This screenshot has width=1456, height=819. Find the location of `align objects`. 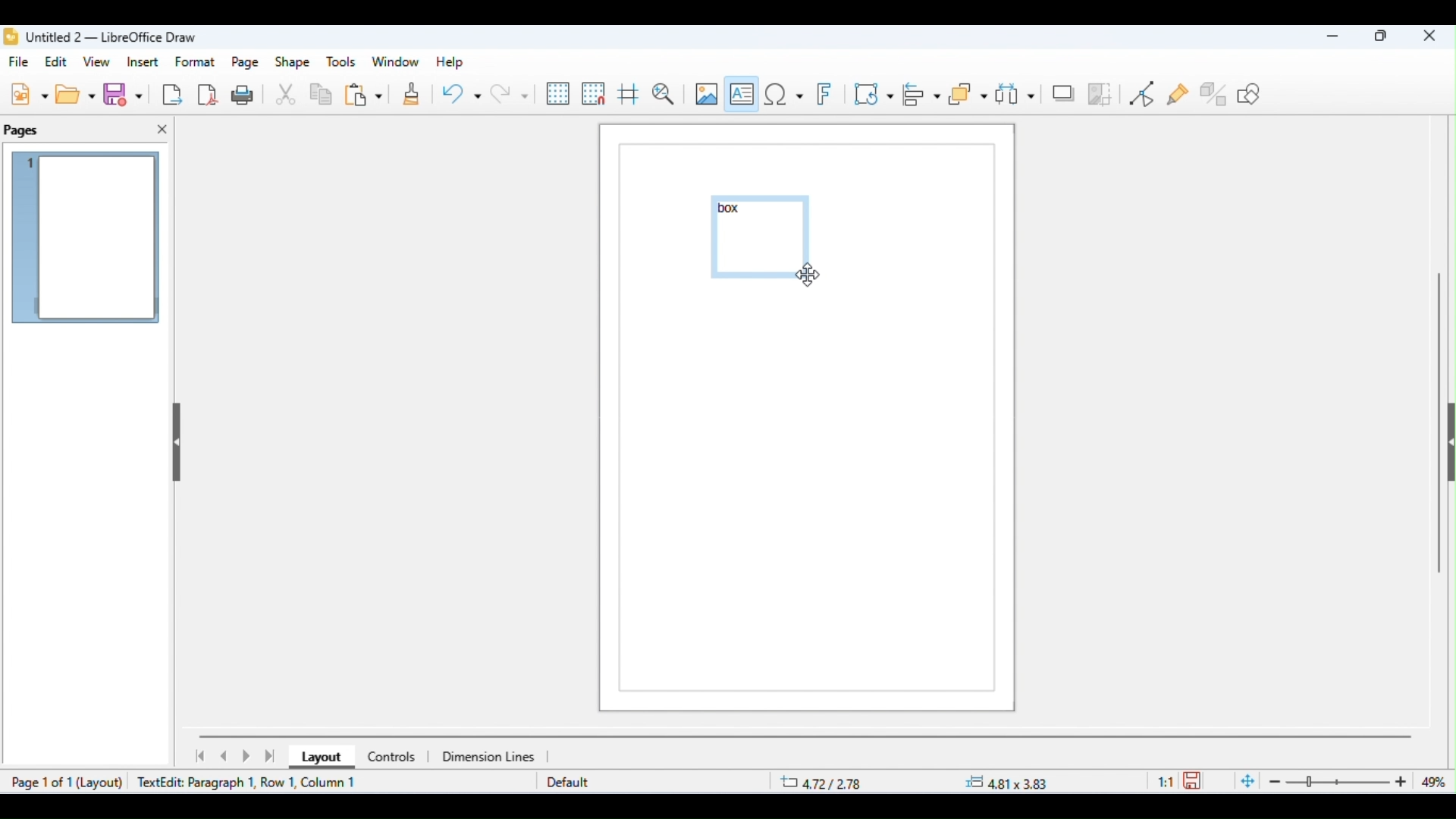

align objects is located at coordinates (923, 94).